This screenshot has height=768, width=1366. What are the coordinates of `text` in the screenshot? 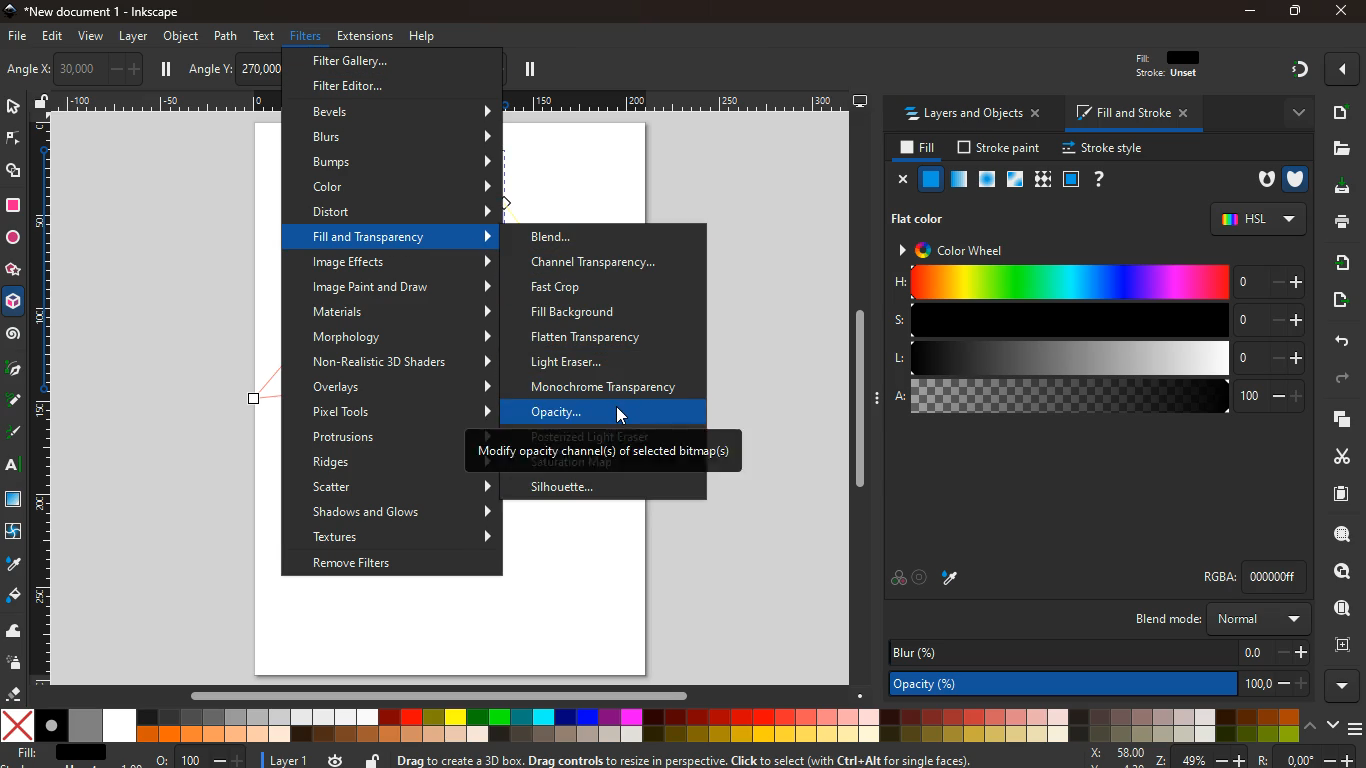 It's located at (10, 466).